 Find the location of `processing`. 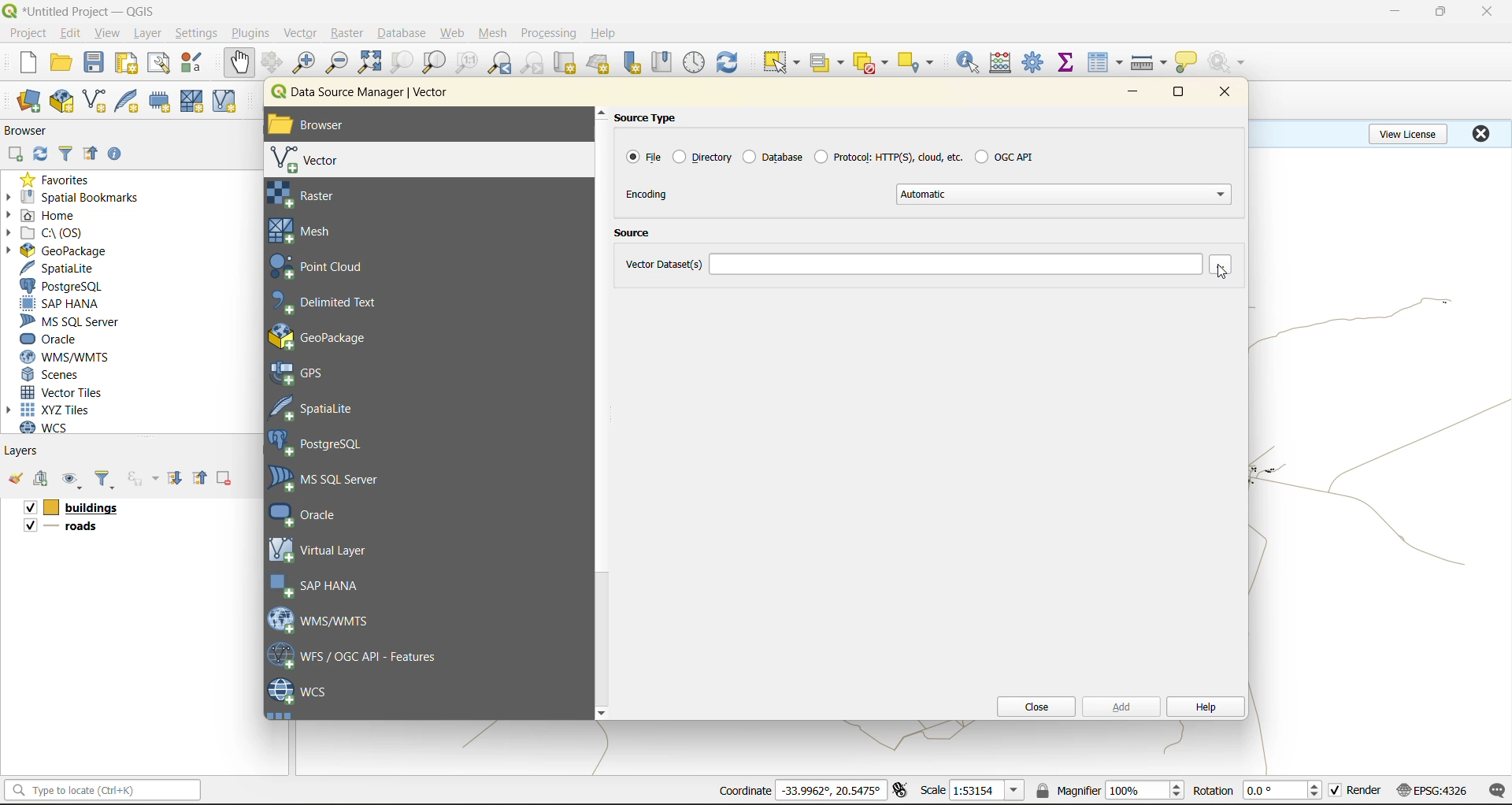

processing is located at coordinates (549, 34).